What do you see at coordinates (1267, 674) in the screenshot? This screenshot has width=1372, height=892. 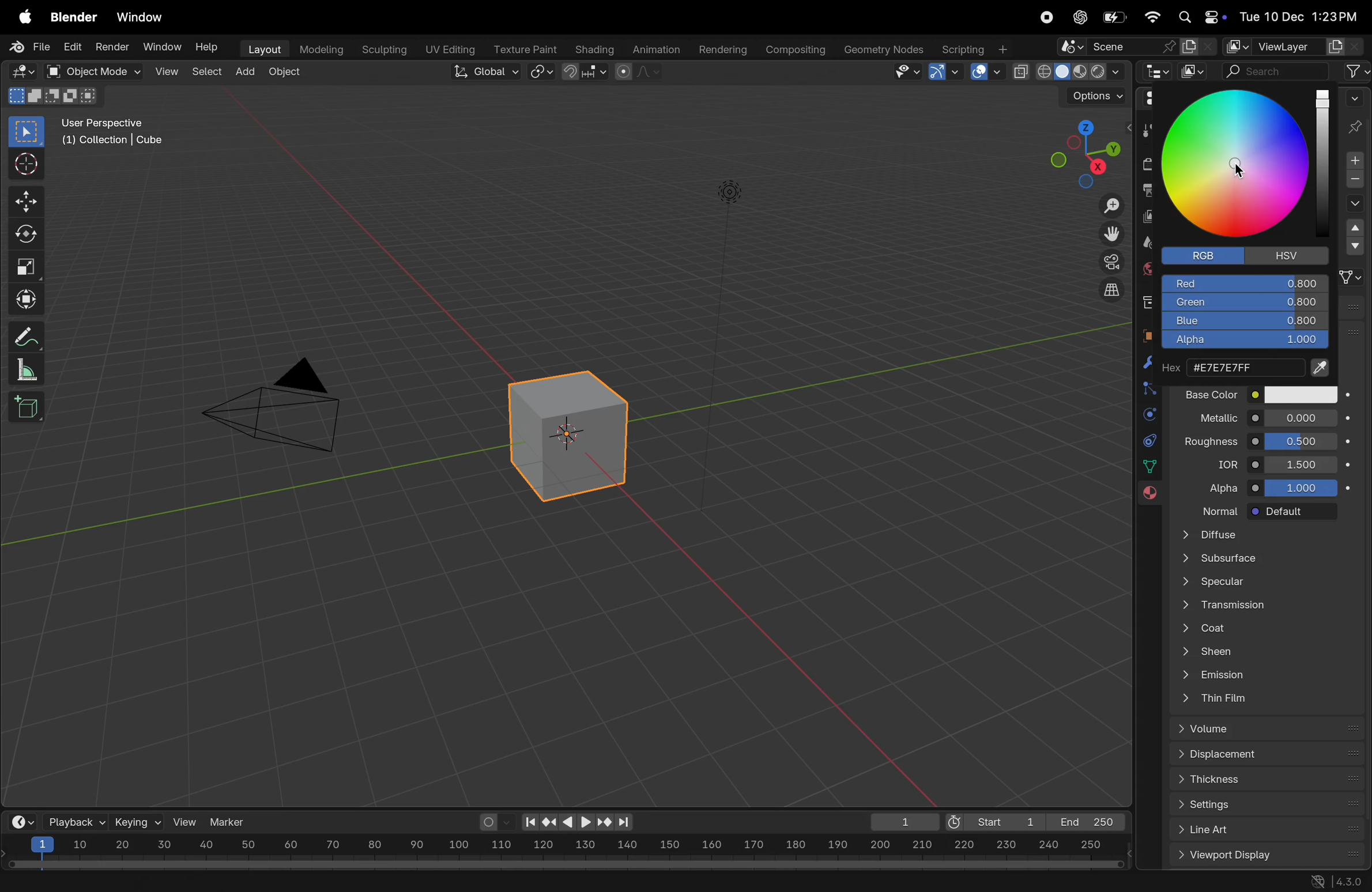 I see `emission` at bounding box center [1267, 674].